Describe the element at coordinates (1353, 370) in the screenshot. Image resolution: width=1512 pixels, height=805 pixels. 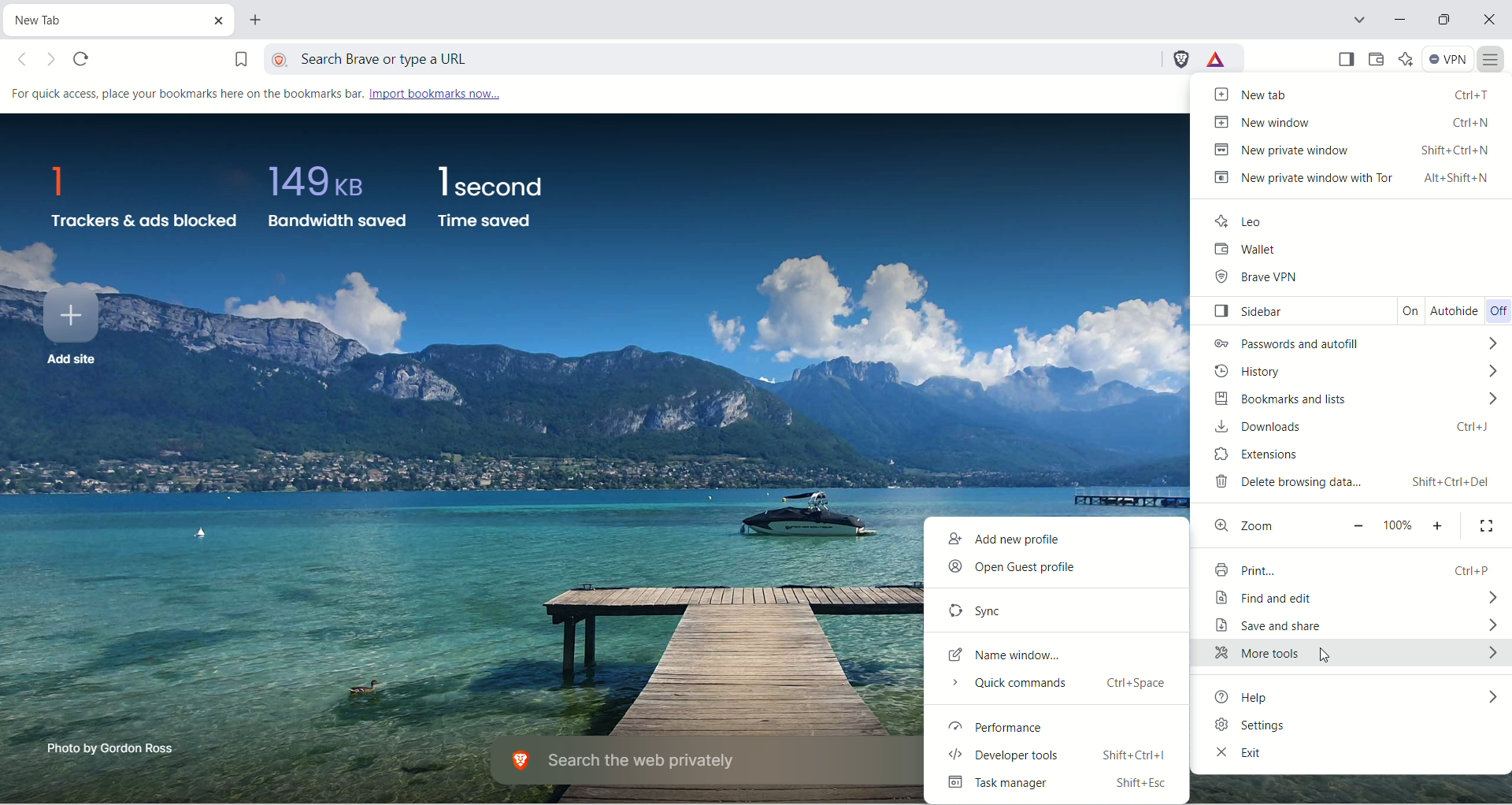
I see `history` at that location.